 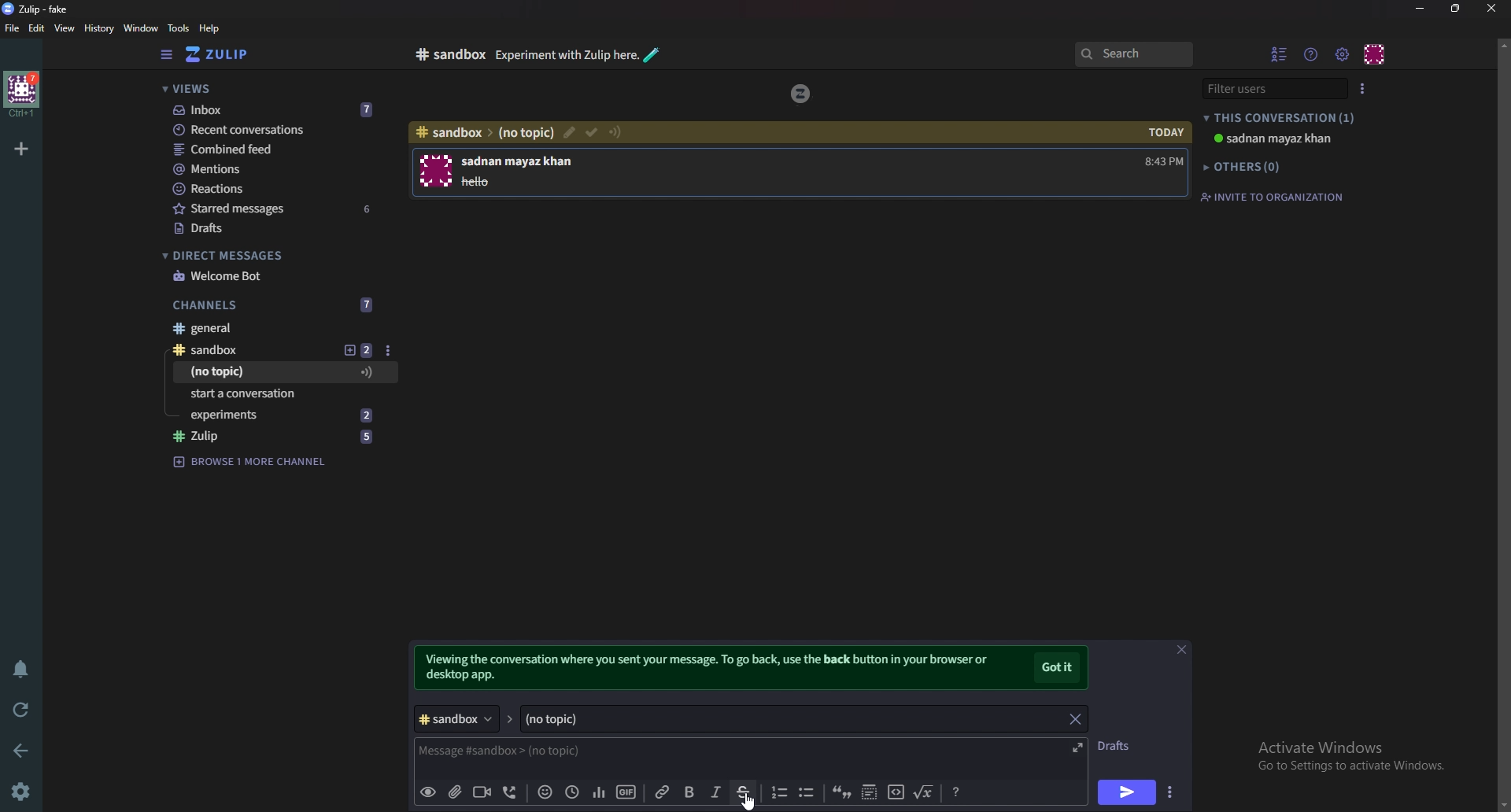 What do you see at coordinates (20, 749) in the screenshot?
I see `back` at bounding box center [20, 749].